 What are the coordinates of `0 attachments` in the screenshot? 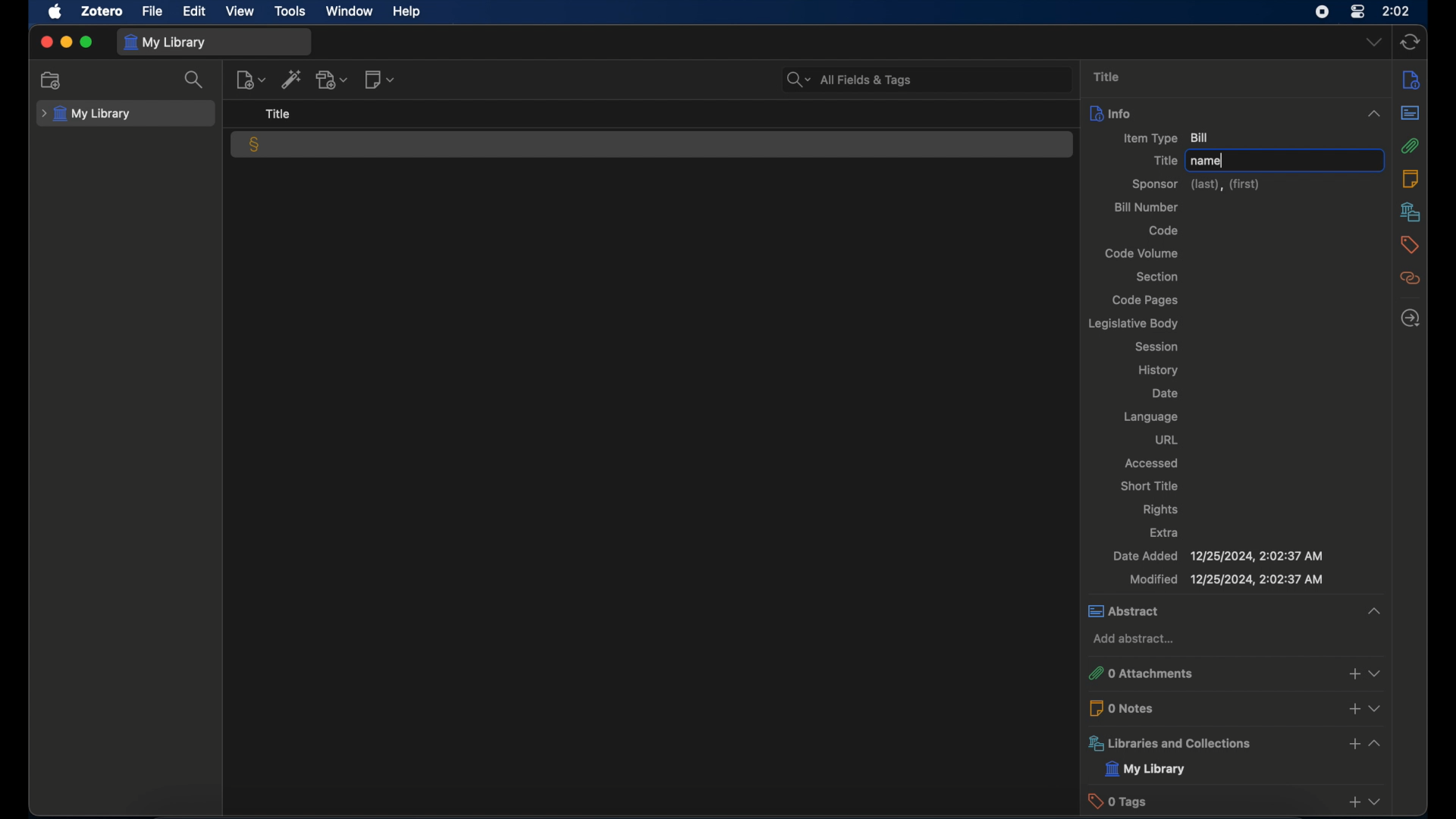 It's located at (1233, 673).